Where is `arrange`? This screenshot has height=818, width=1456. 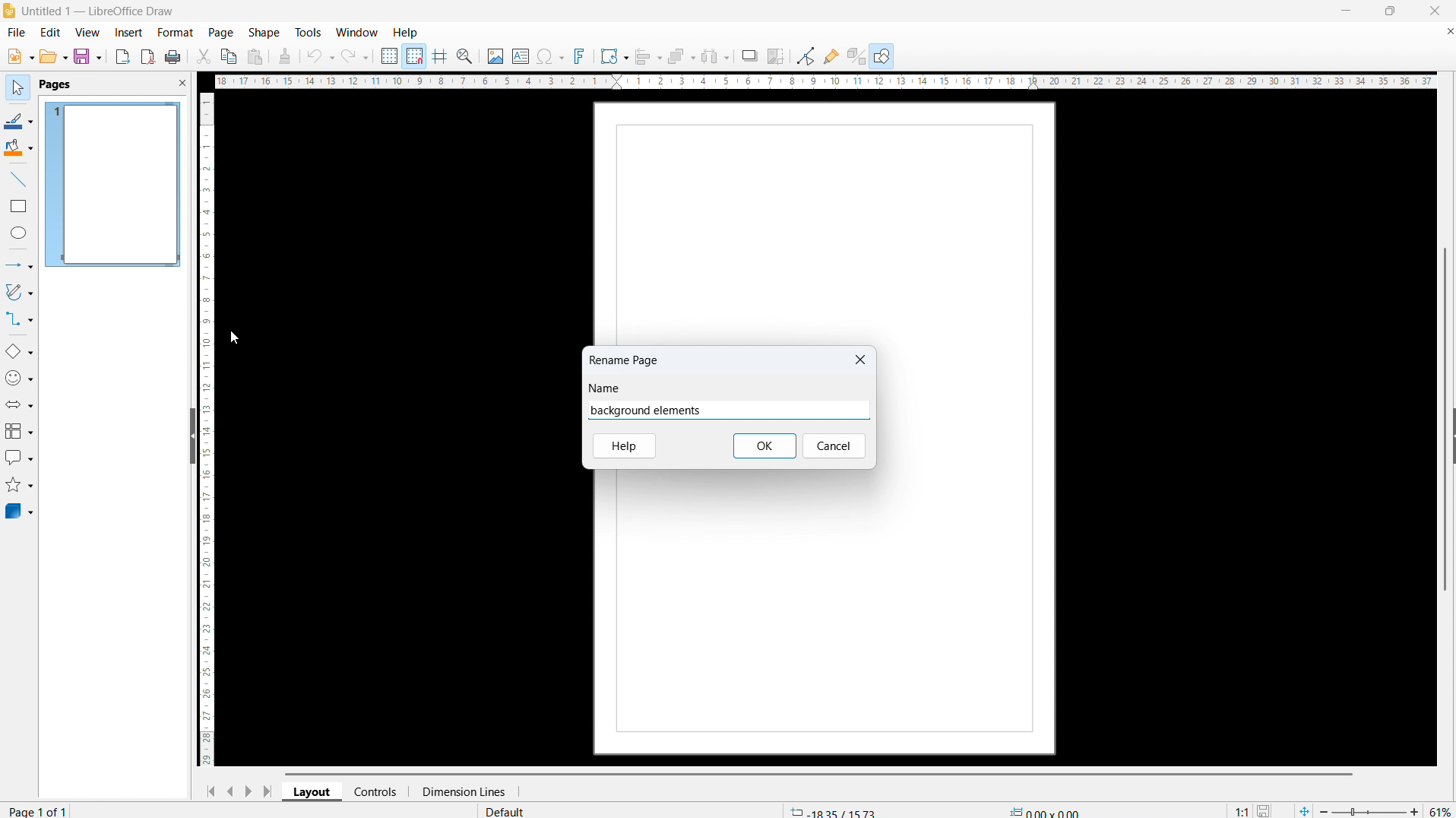
arrange is located at coordinates (680, 56).